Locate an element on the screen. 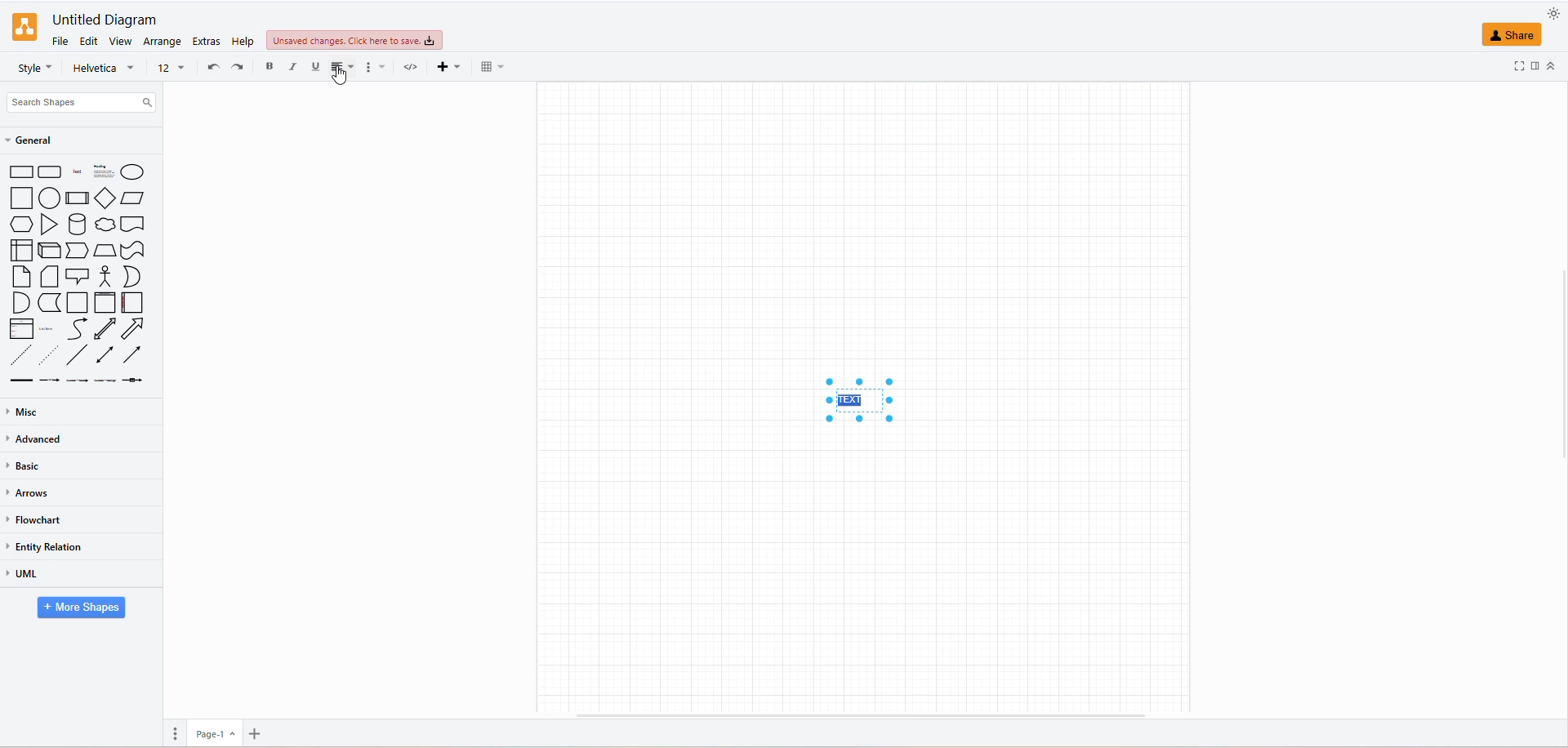 The width and height of the screenshot is (1568, 748). more shapes is located at coordinates (77, 608).